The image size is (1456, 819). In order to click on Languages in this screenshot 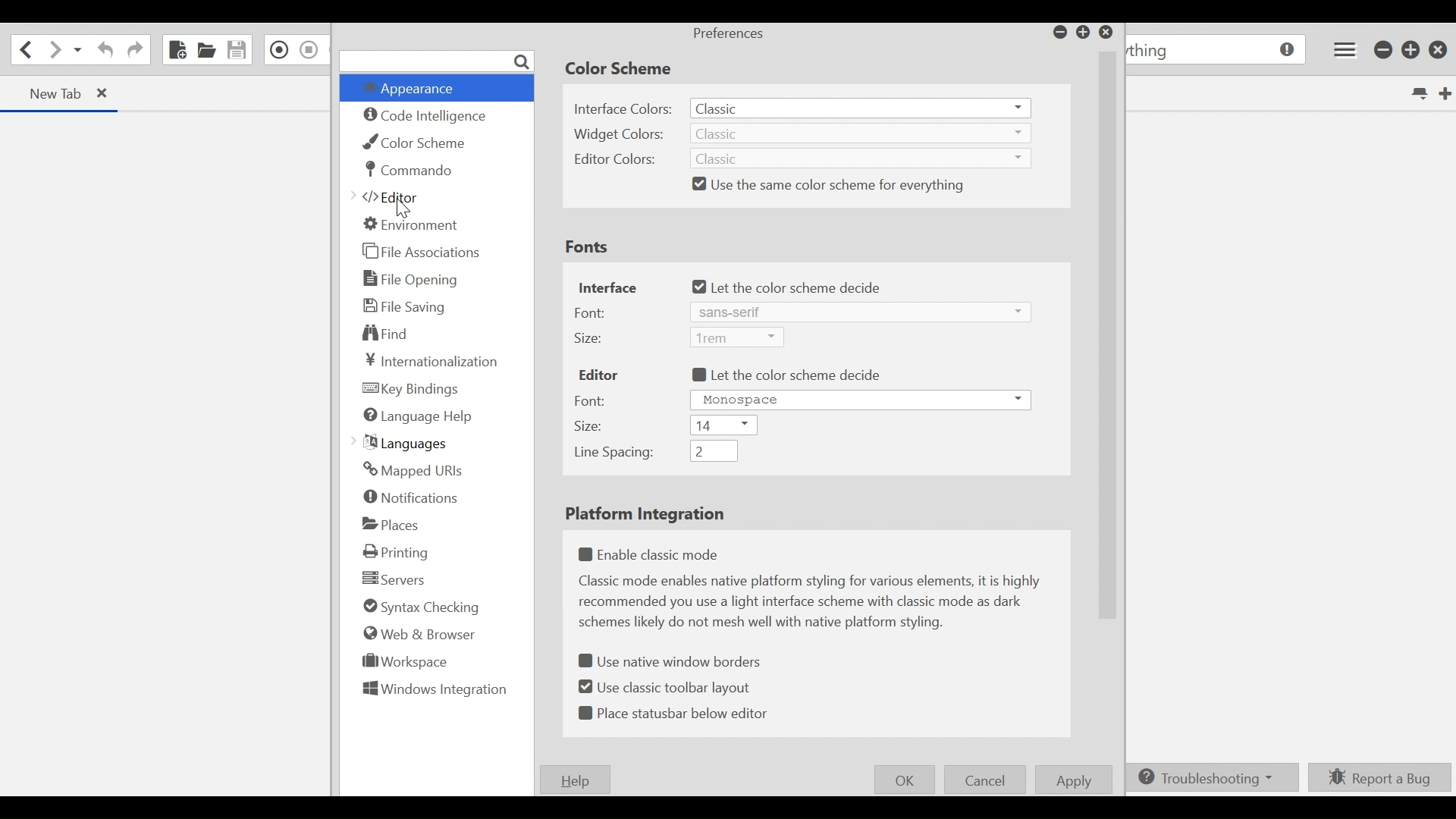, I will do `click(403, 442)`.